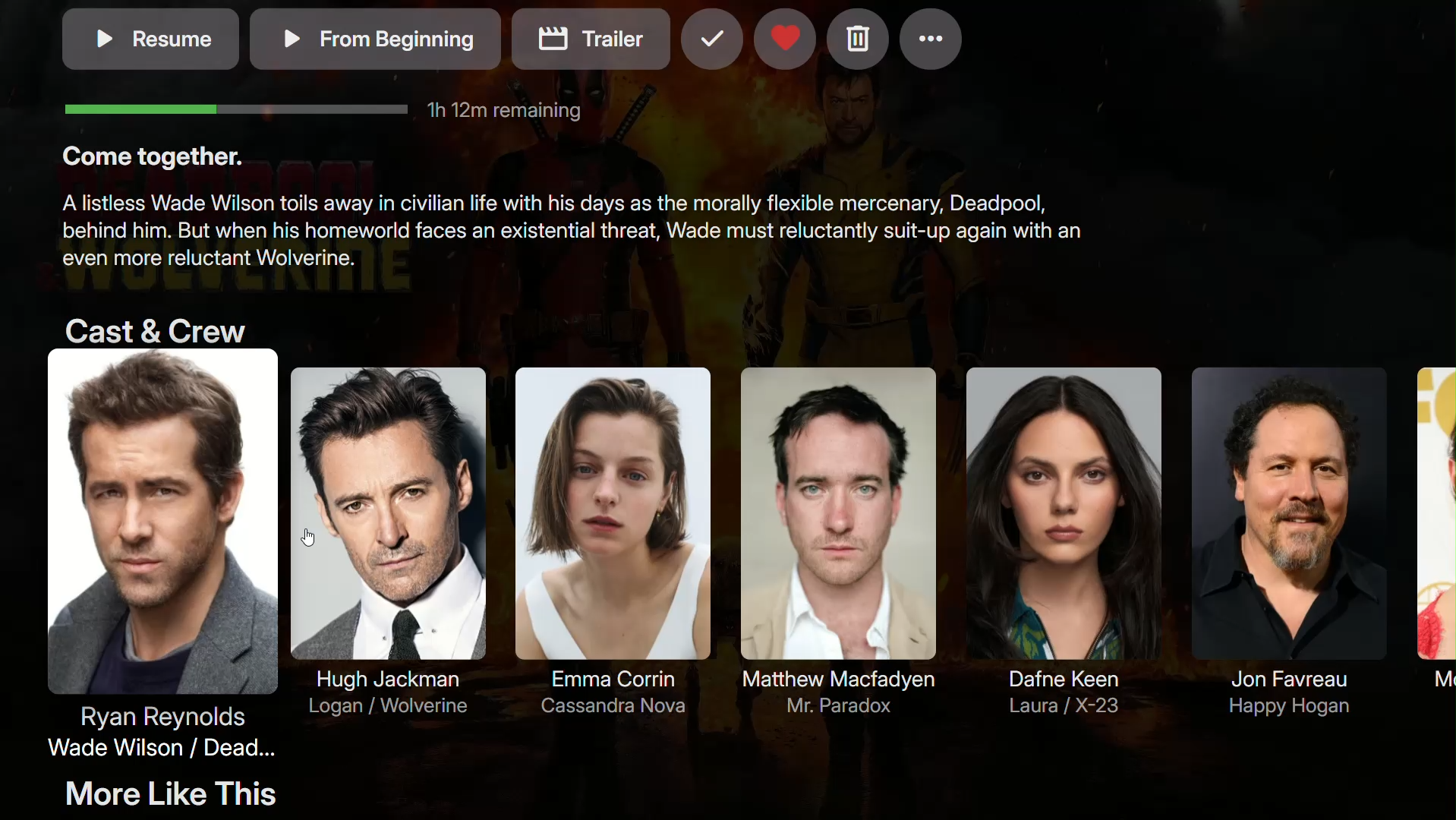  I want to click on Mark as seen, so click(710, 43).